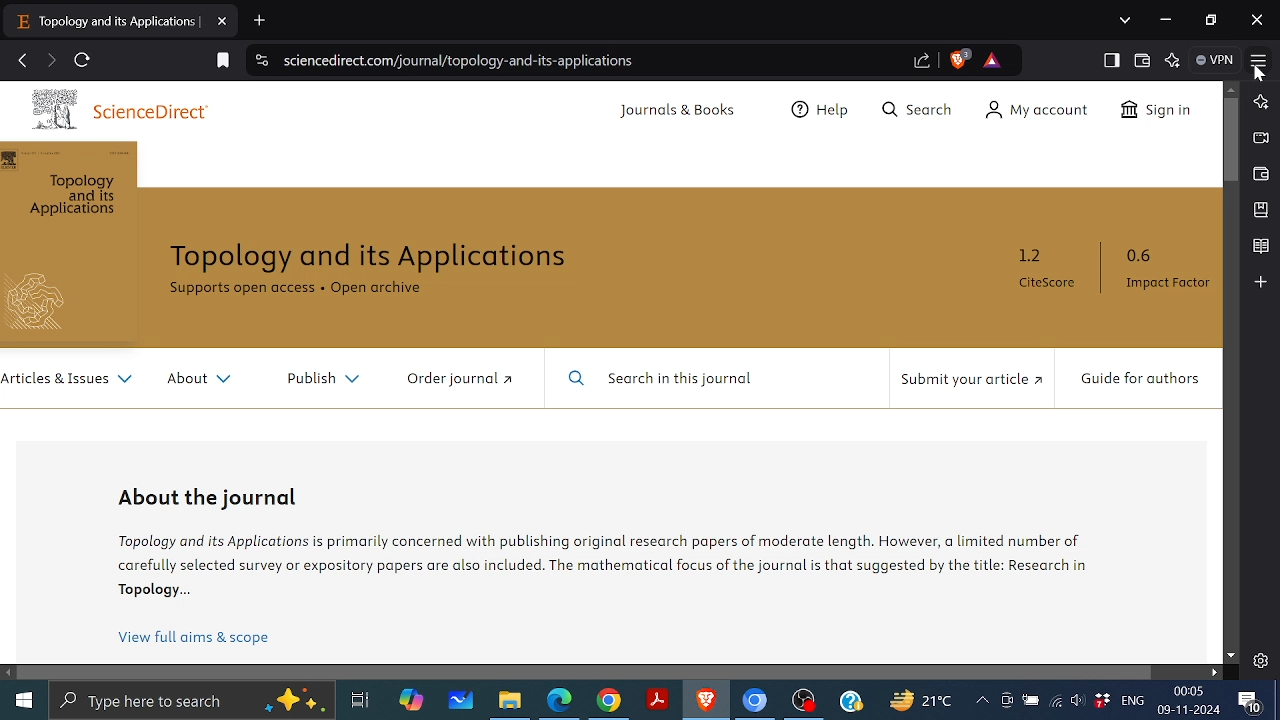 Image resolution: width=1280 pixels, height=720 pixels. Describe the element at coordinates (361, 698) in the screenshot. I see `Task View` at that location.